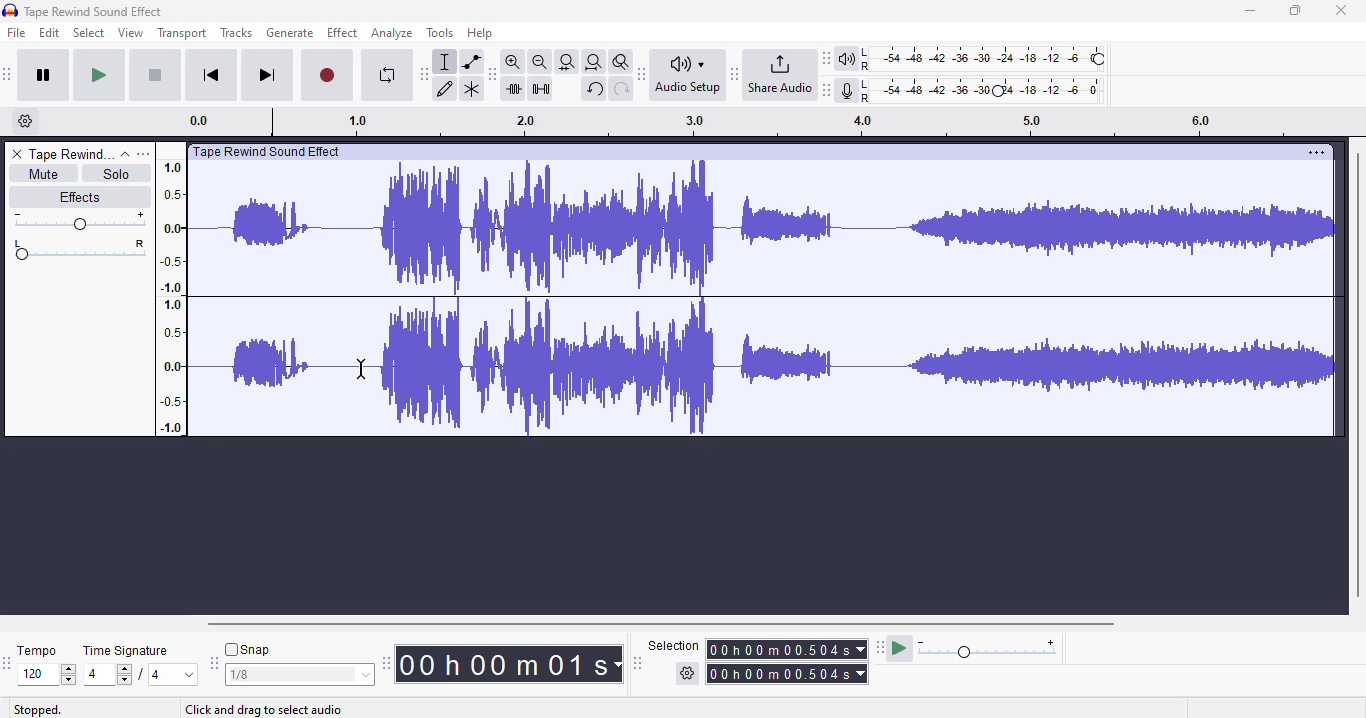 This screenshot has height=718, width=1366. Describe the element at coordinates (94, 12) in the screenshot. I see `title` at that location.